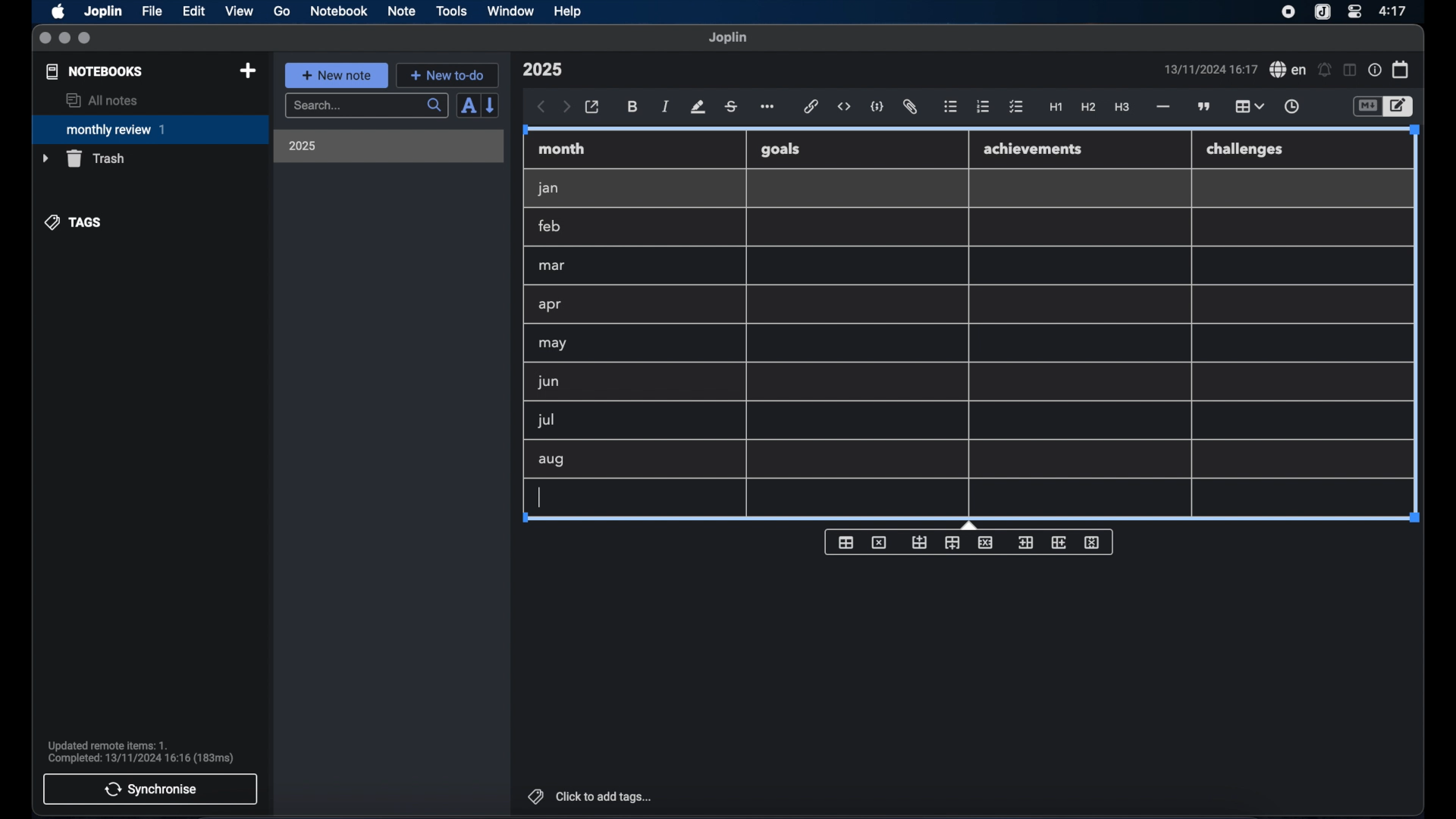 This screenshot has width=1456, height=819. Describe the element at coordinates (547, 381) in the screenshot. I see `jun` at that location.